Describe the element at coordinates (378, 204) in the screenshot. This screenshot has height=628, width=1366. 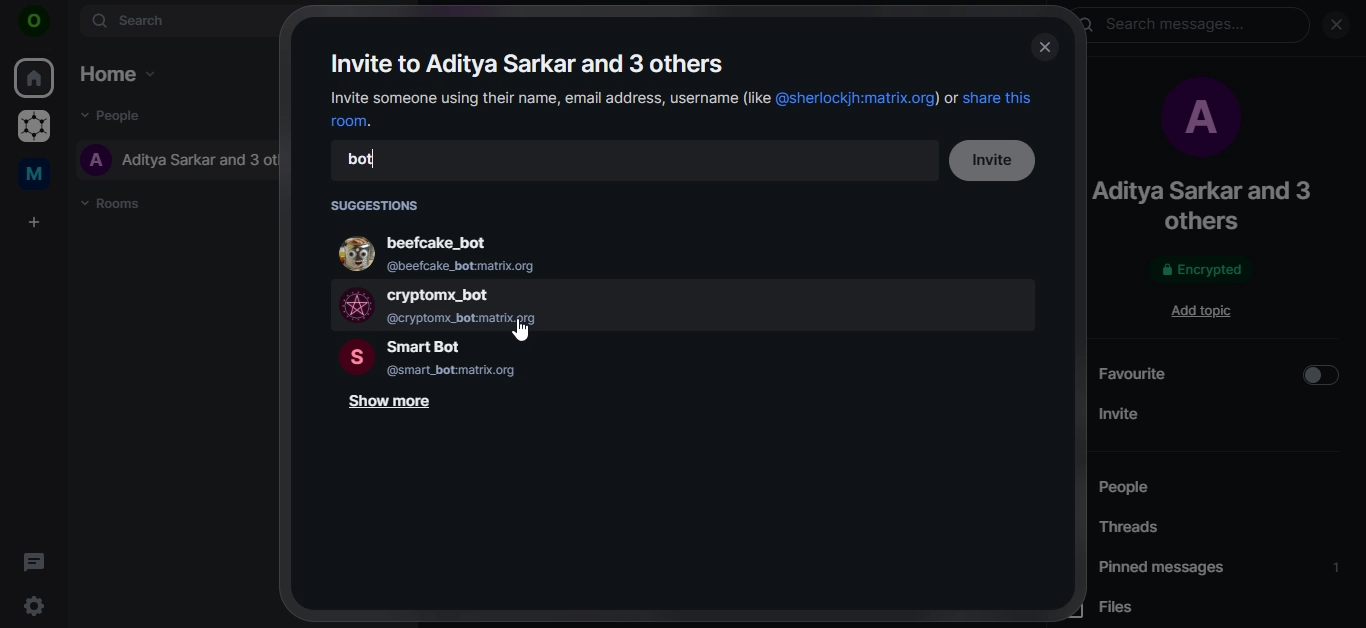
I see `suggestions` at that location.